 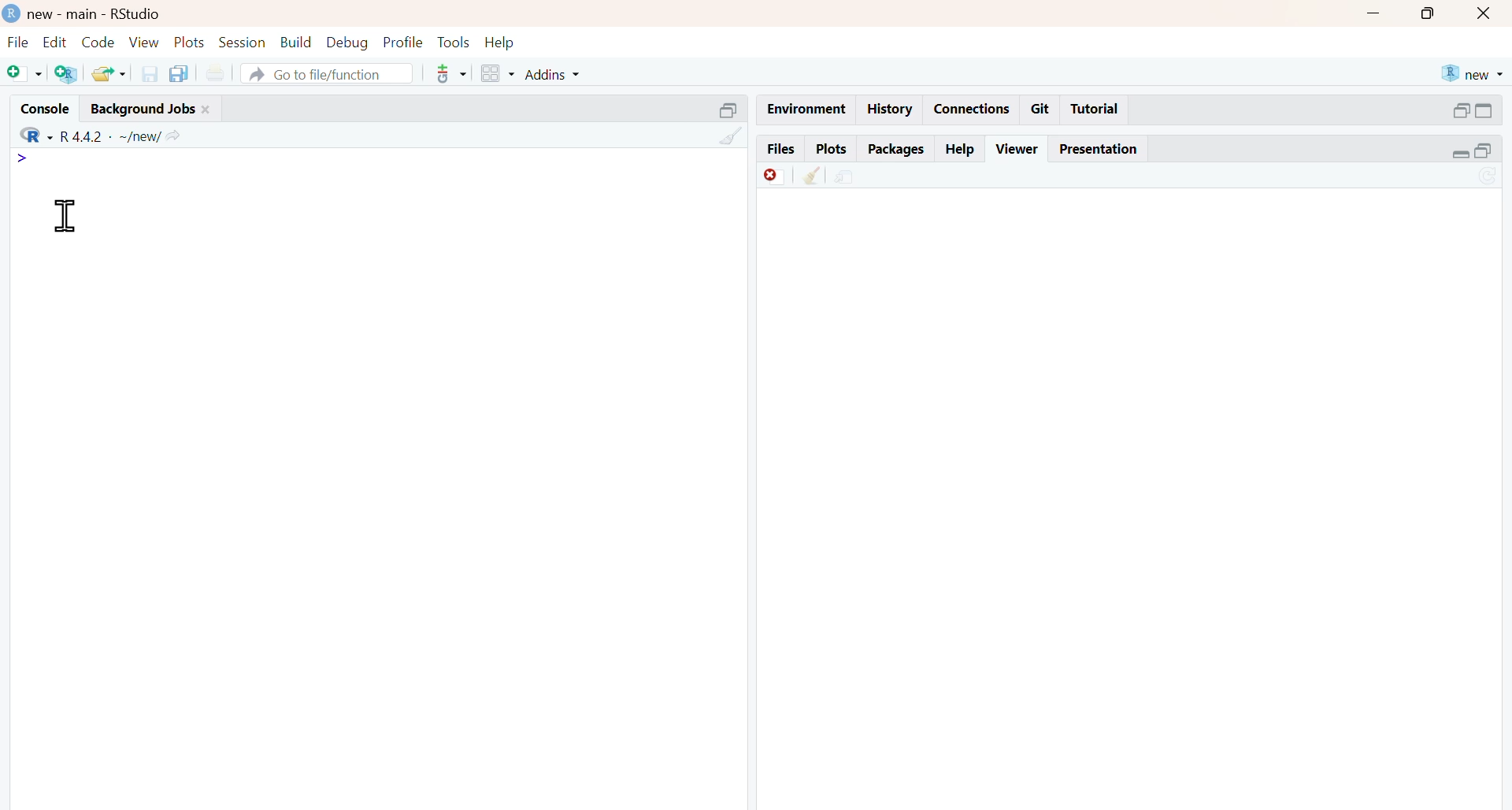 I want to click on profile, so click(x=404, y=43).